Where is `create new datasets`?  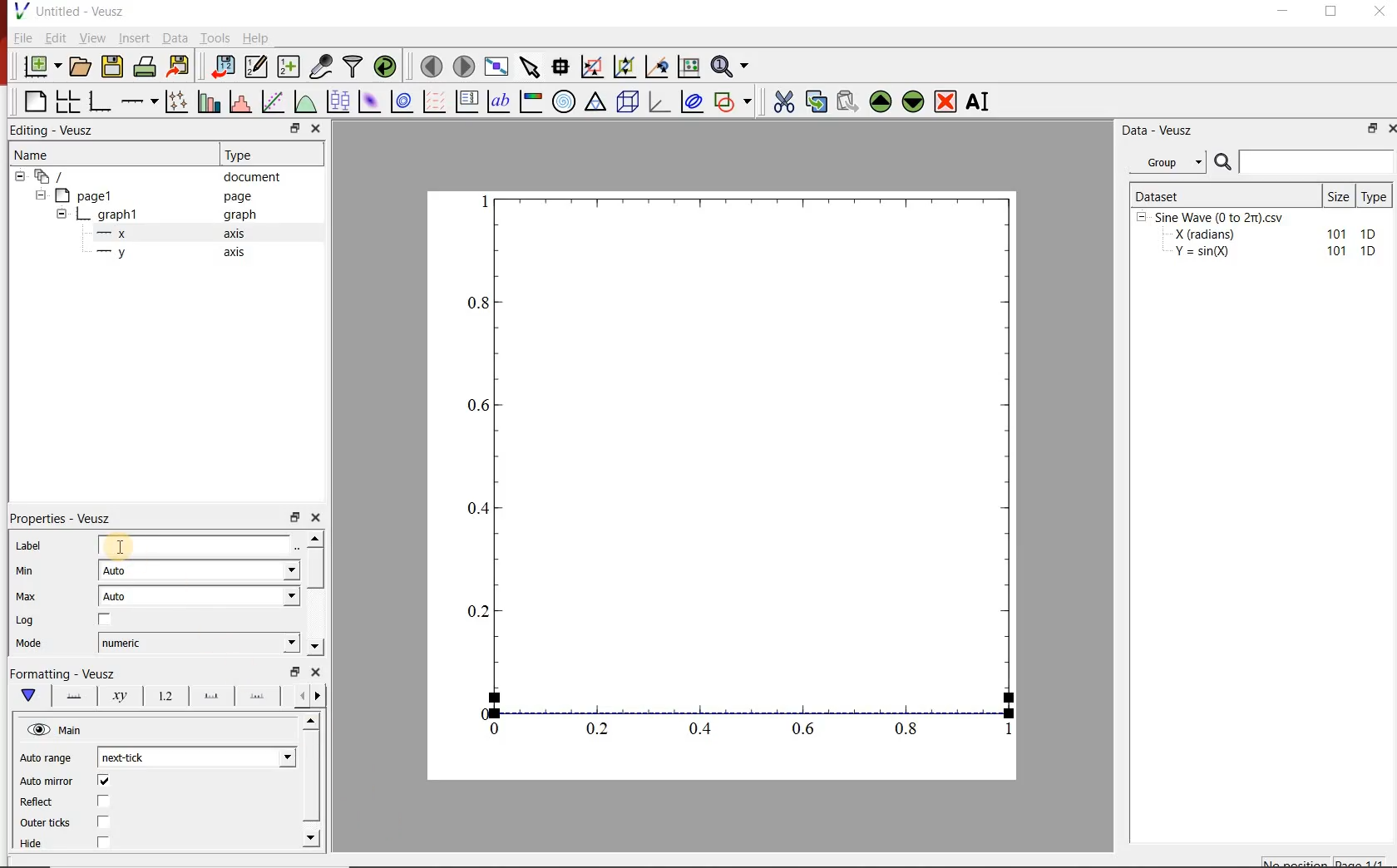 create new datasets is located at coordinates (289, 67).